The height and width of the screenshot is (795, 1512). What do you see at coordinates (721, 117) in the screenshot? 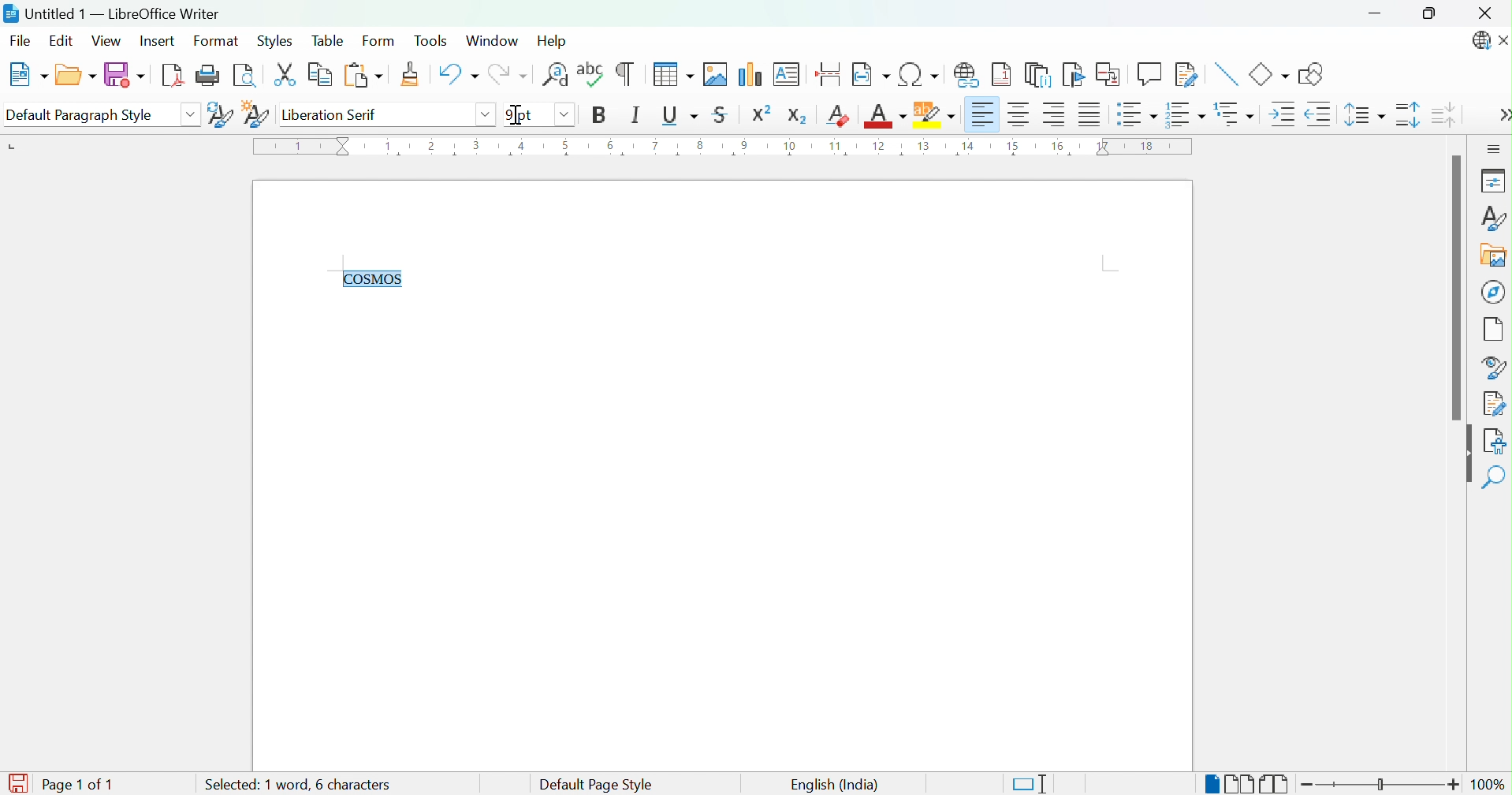
I see `Strikethrough` at bounding box center [721, 117].